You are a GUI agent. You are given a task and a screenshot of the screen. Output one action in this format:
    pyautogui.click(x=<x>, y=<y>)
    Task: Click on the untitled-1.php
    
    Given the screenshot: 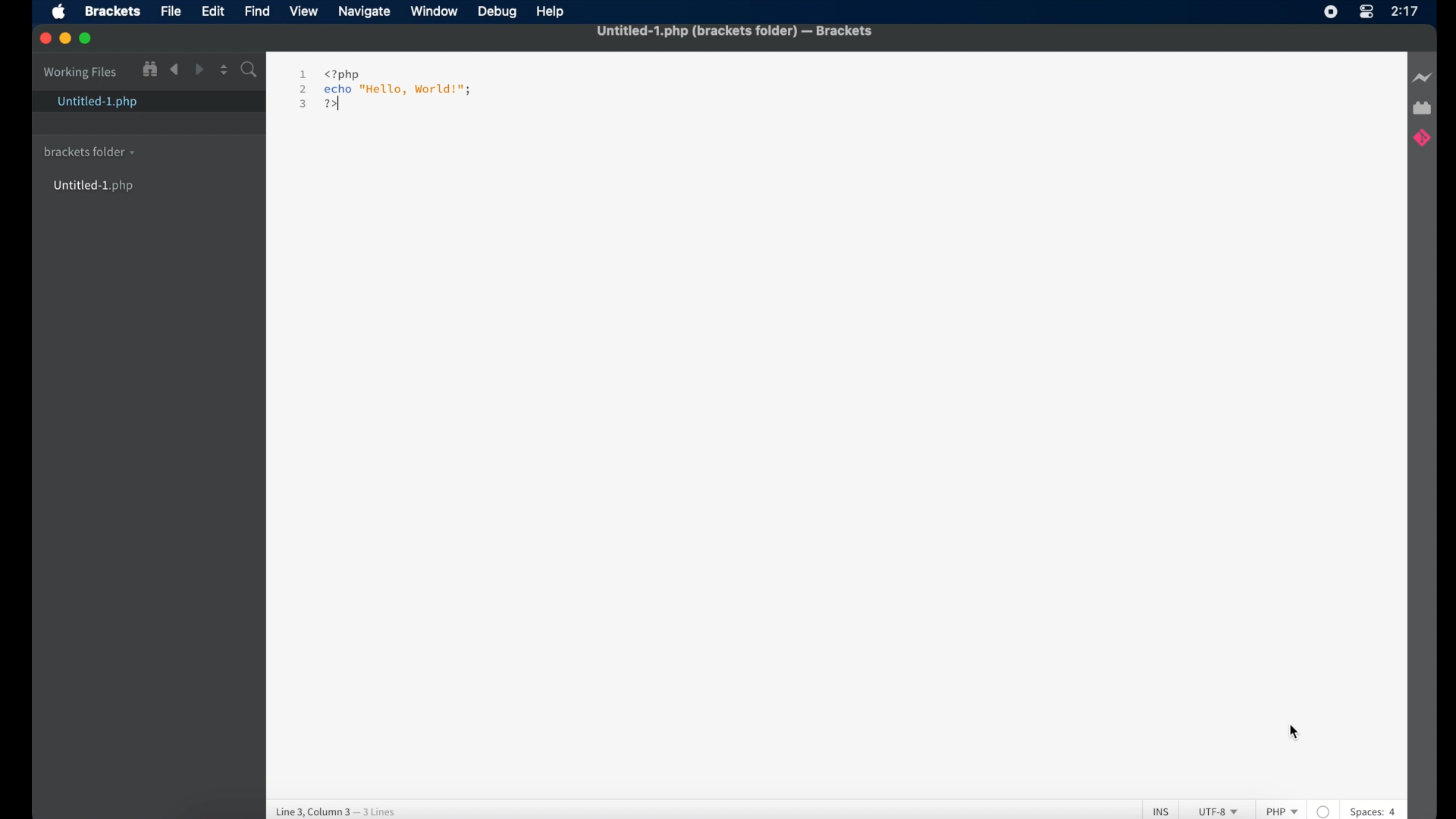 What is the action you would take?
    pyautogui.click(x=96, y=103)
    